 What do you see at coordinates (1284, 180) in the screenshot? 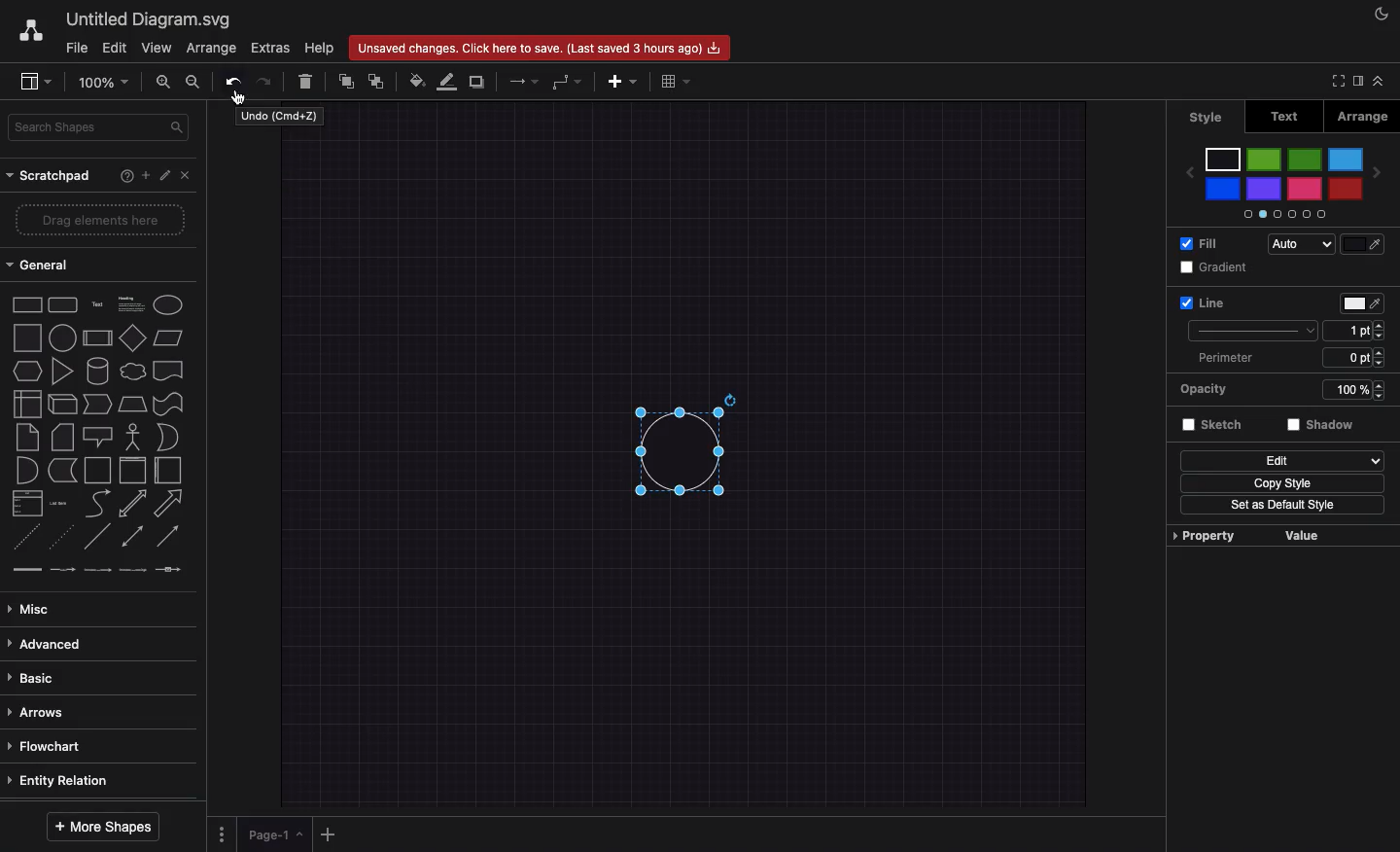
I see `Colors` at bounding box center [1284, 180].